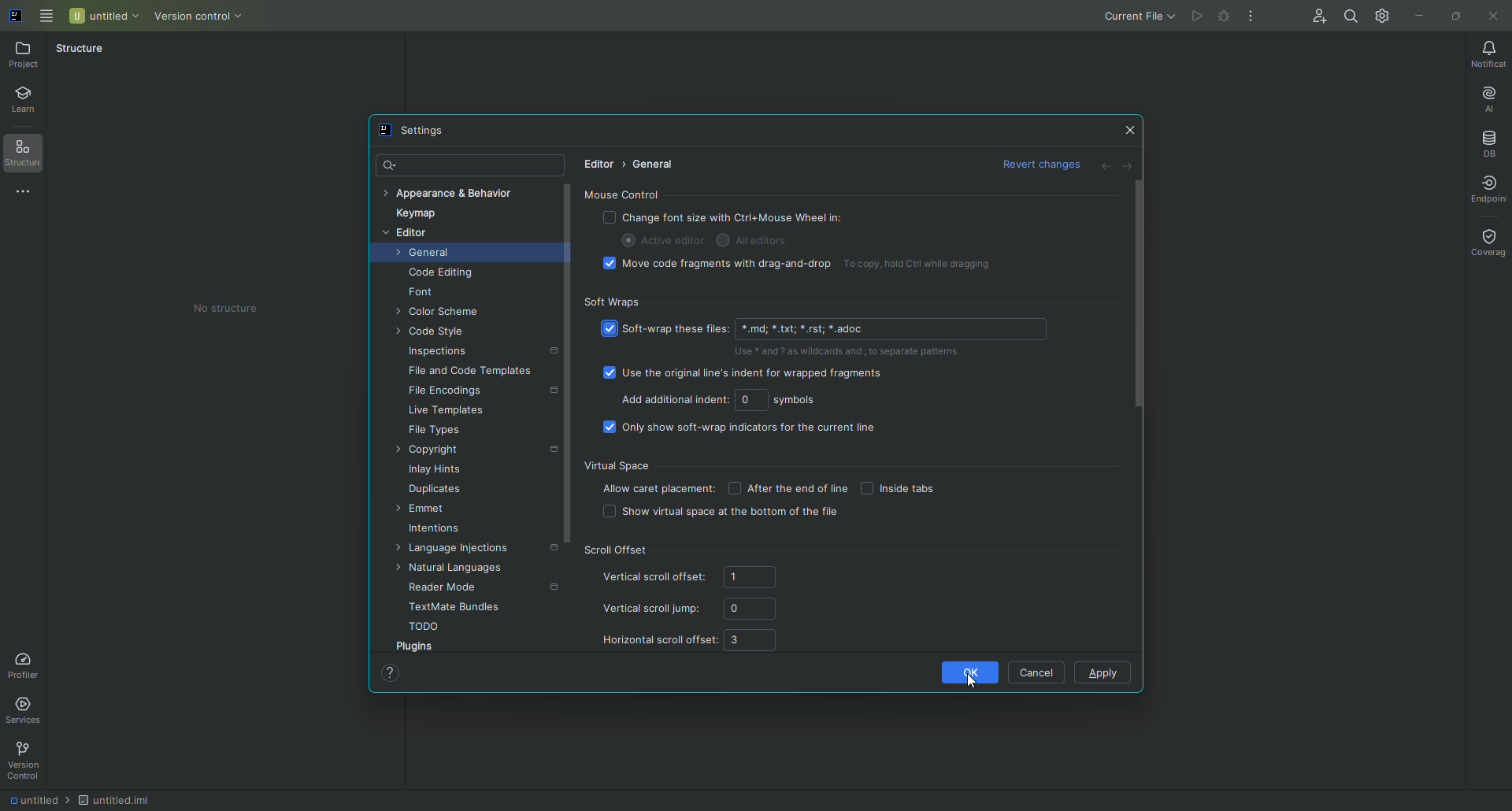 This screenshot has width=1512, height=811. What do you see at coordinates (1102, 674) in the screenshot?
I see `Apply` at bounding box center [1102, 674].